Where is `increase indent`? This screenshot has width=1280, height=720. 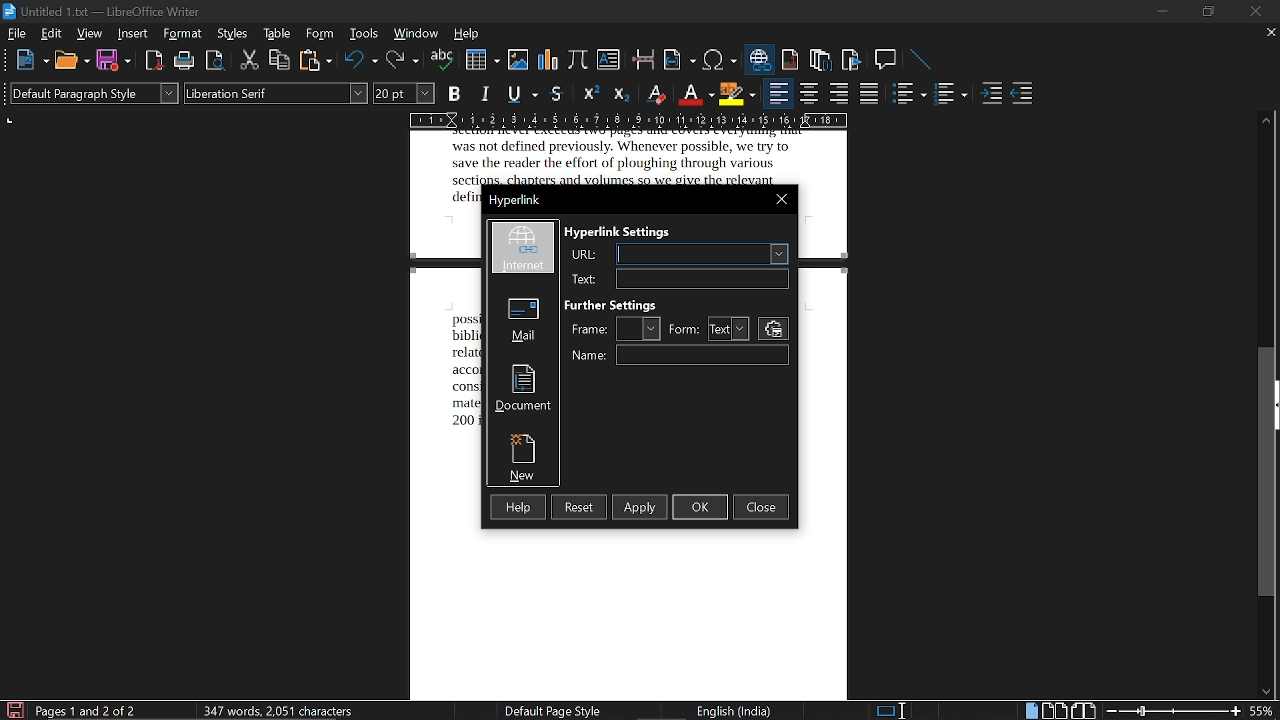 increase indent is located at coordinates (991, 95).